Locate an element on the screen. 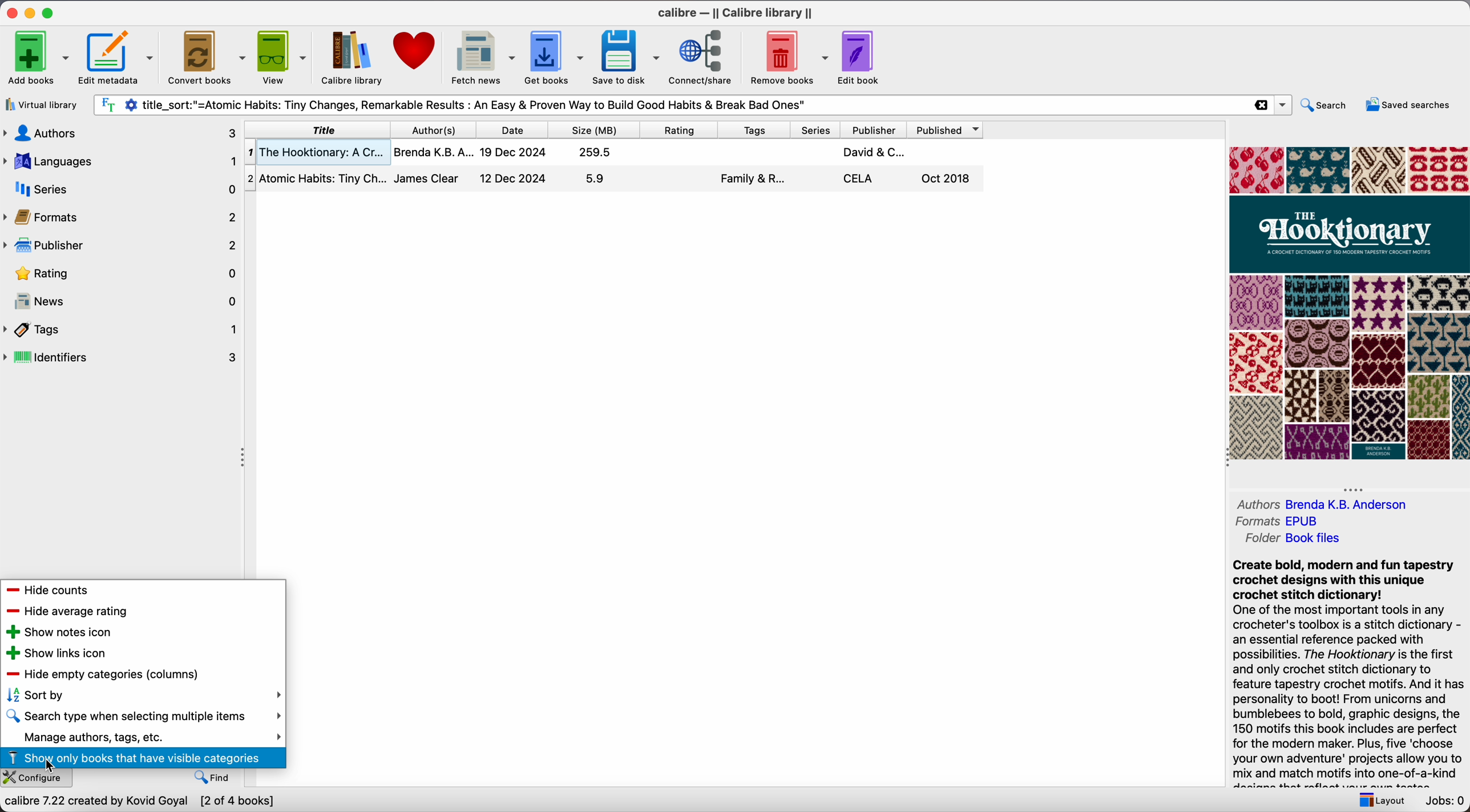 The height and width of the screenshot is (812, 1470). tags is located at coordinates (755, 128).